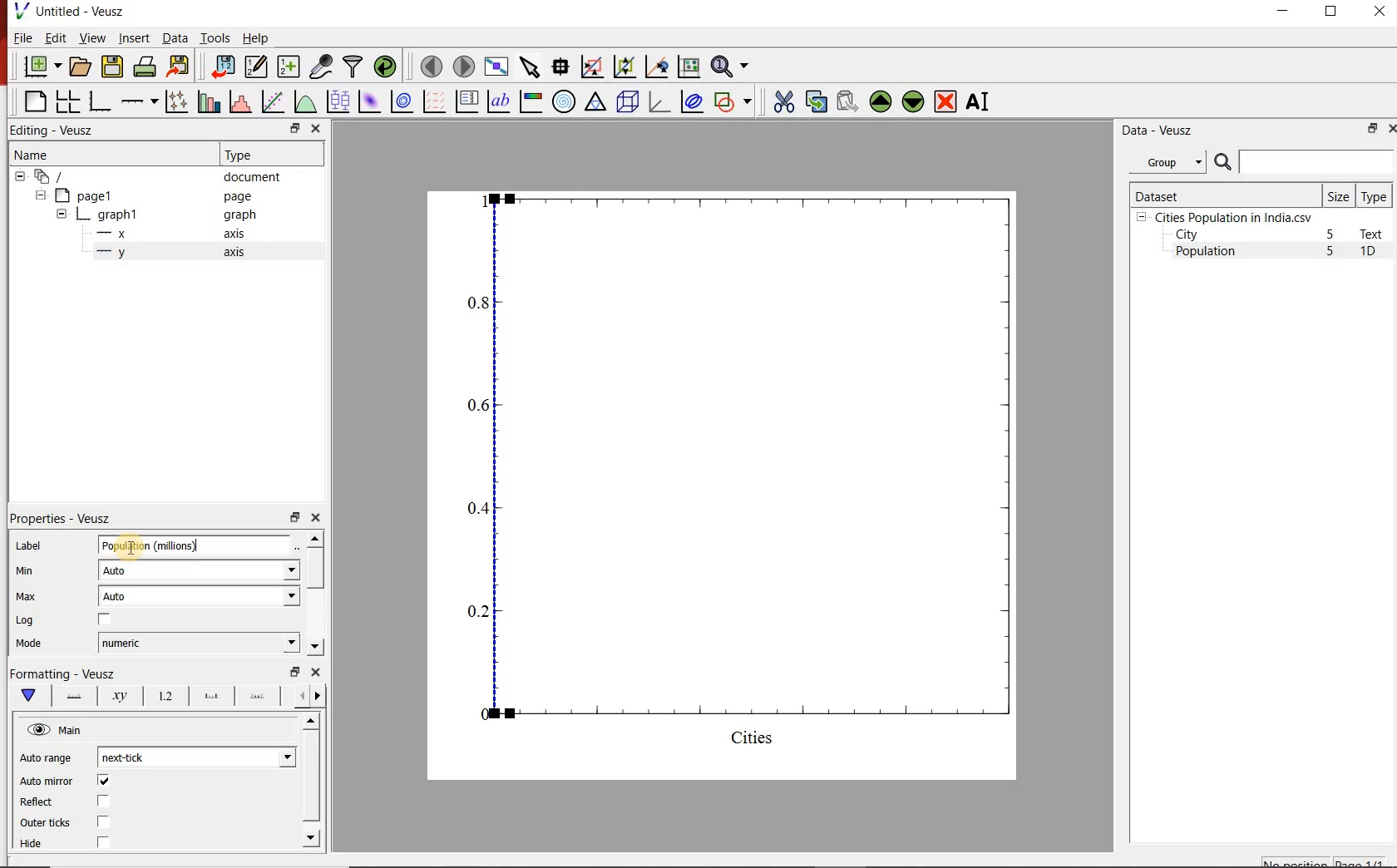  I want to click on paste widget from the clipboard, so click(847, 101).